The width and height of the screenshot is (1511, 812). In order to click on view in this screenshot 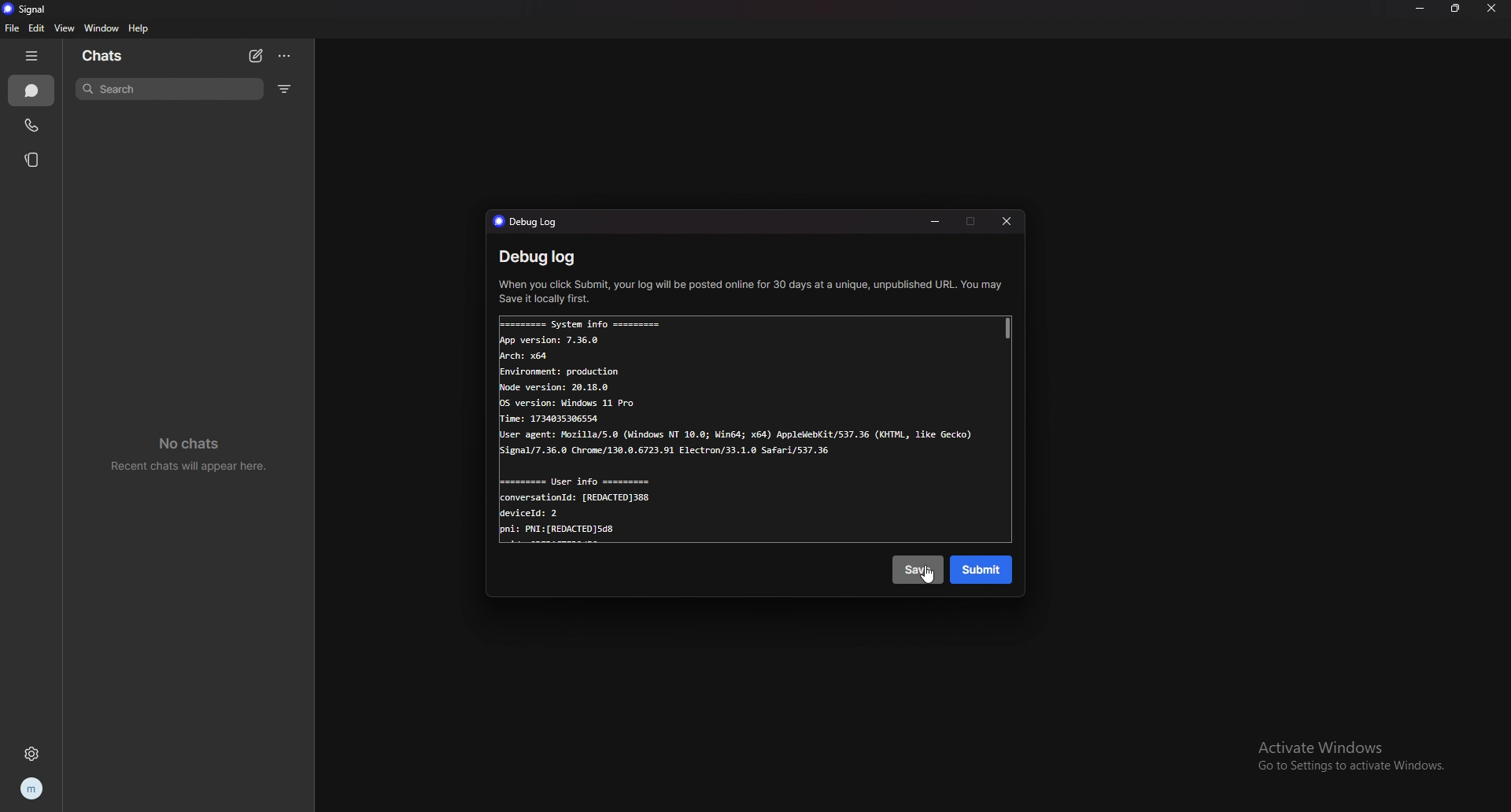, I will do `click(64, 29)`.